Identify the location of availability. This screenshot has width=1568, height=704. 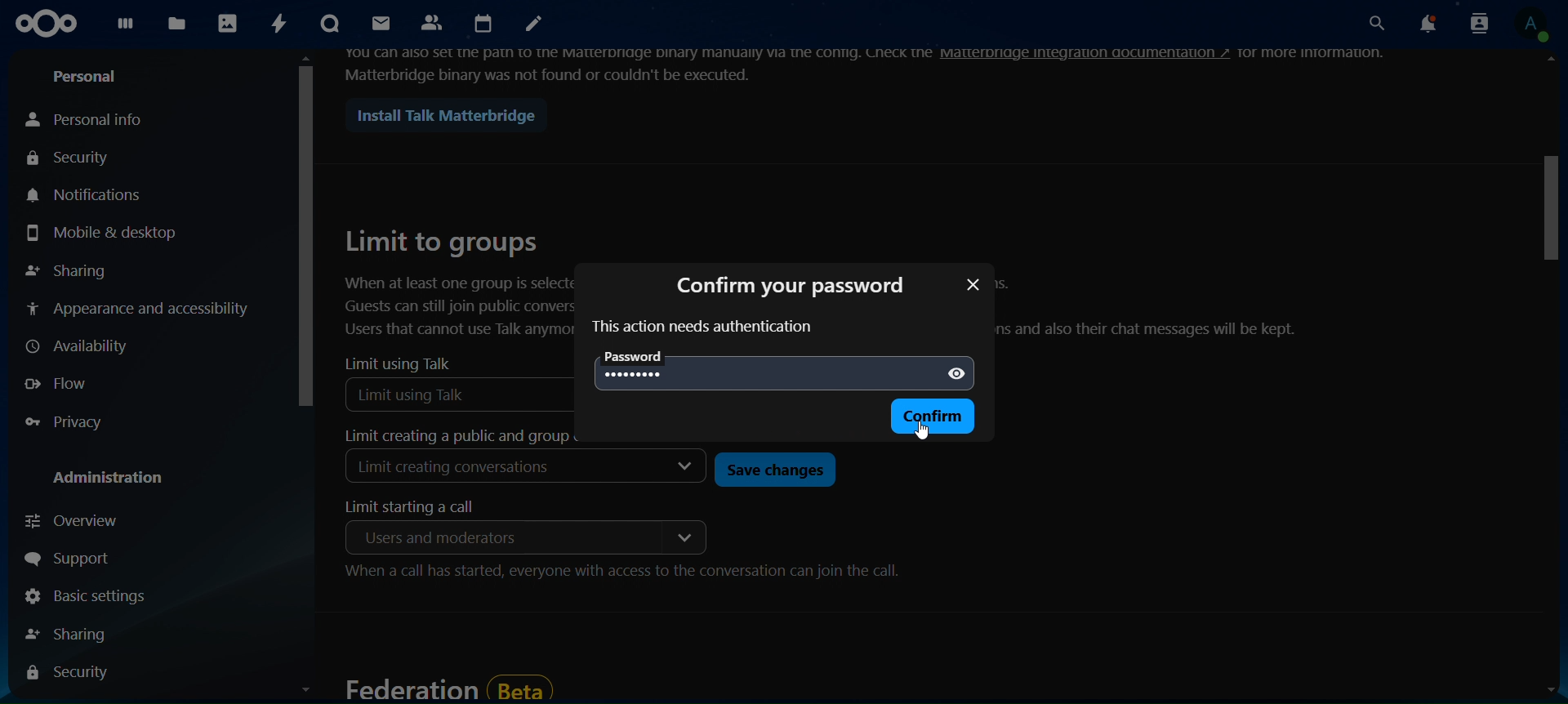
(79, 347).